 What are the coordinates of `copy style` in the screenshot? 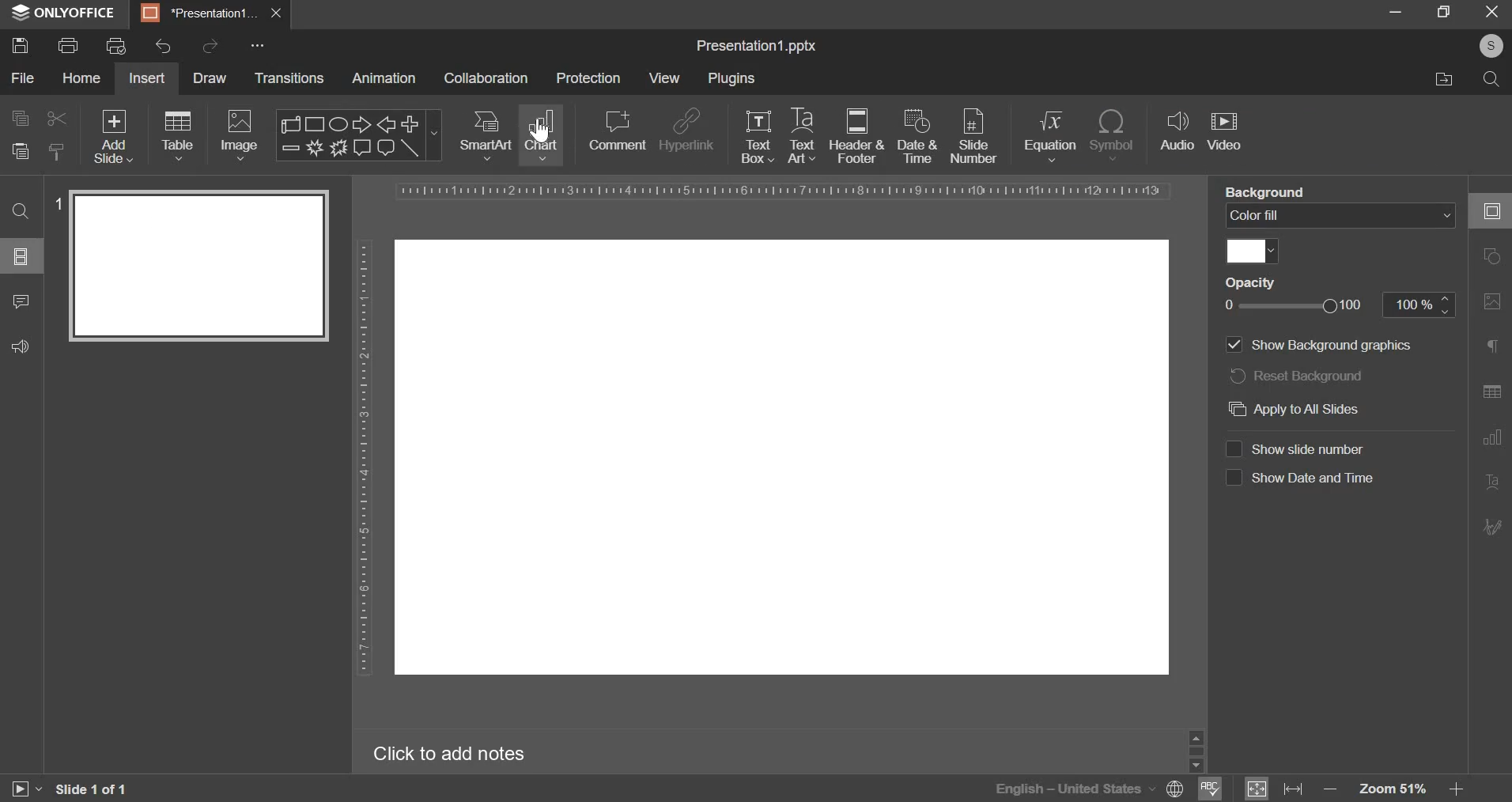 It's located at (57, 150).